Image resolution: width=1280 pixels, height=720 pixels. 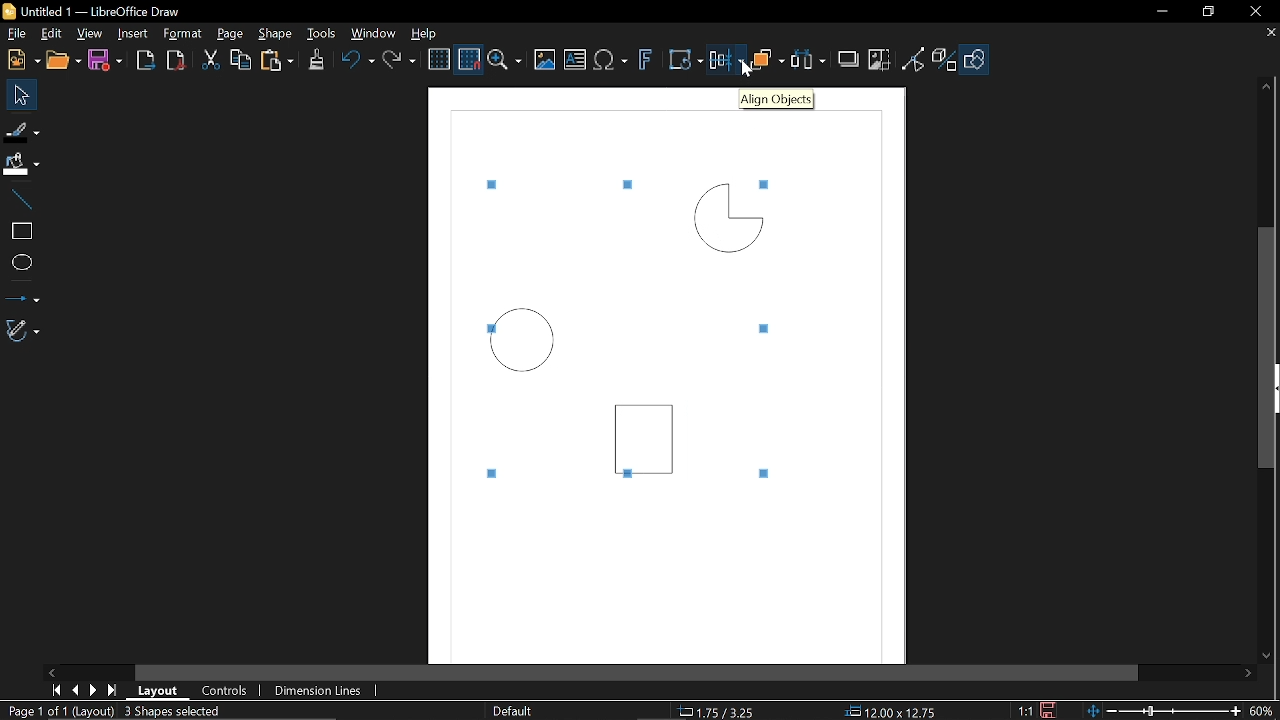 What do you see at coordinates (682, 61) in the screenshot?
I see `Transform` at bounding box center [682, 61].